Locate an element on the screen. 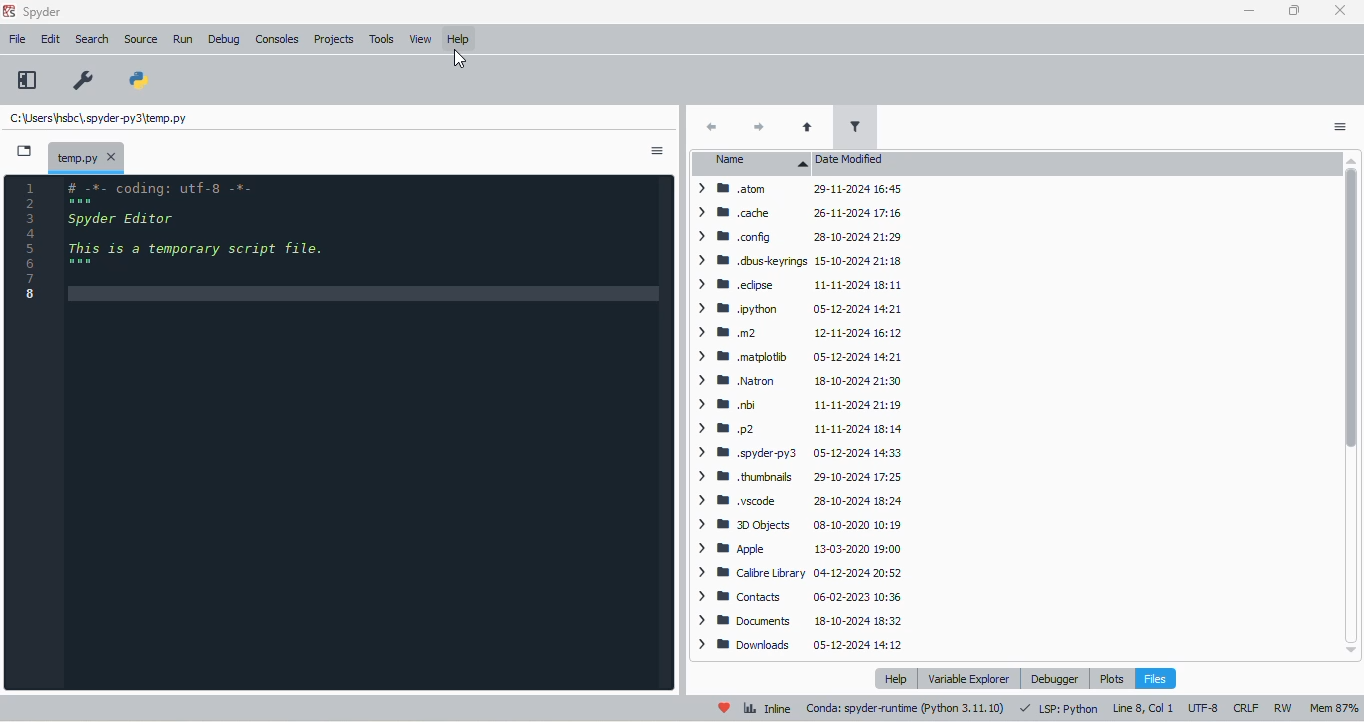  plots is located at coordinates (1112, 679).